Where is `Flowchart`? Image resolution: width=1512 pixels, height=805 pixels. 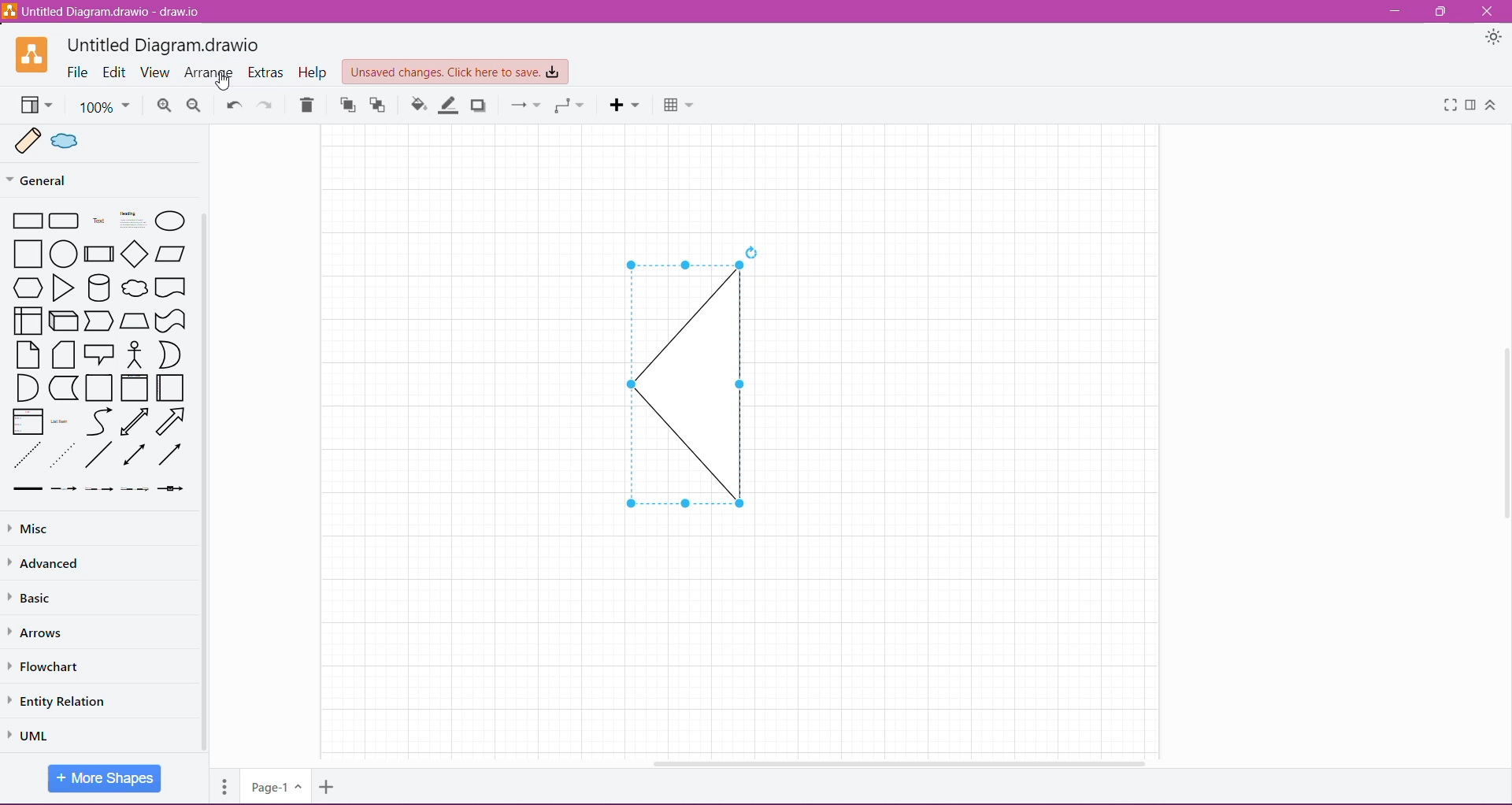
Flowchart is located at coordinates (45, 667).